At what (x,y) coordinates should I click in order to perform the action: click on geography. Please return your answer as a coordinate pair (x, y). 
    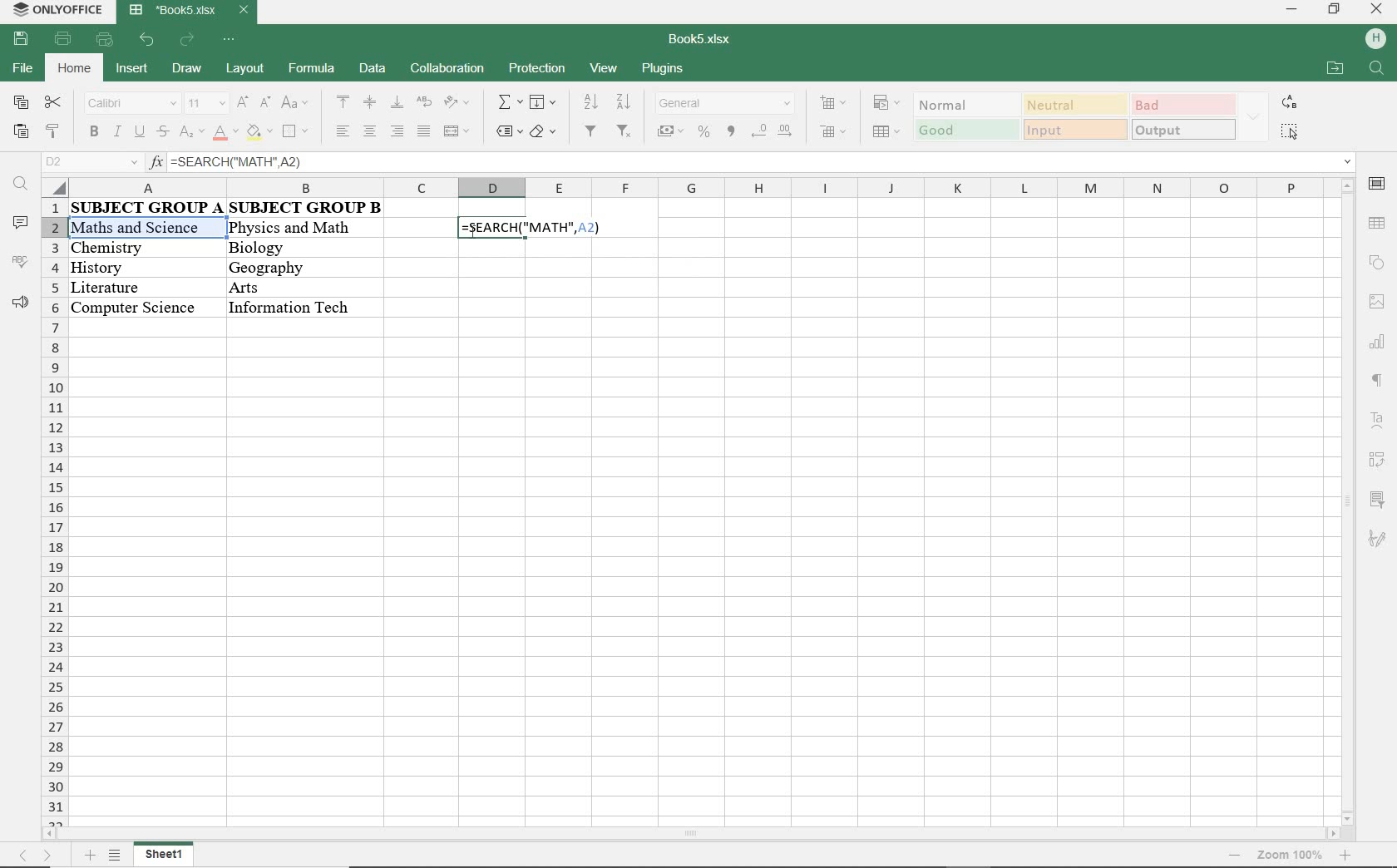
    Looking at the image, I should click on (284, 267).